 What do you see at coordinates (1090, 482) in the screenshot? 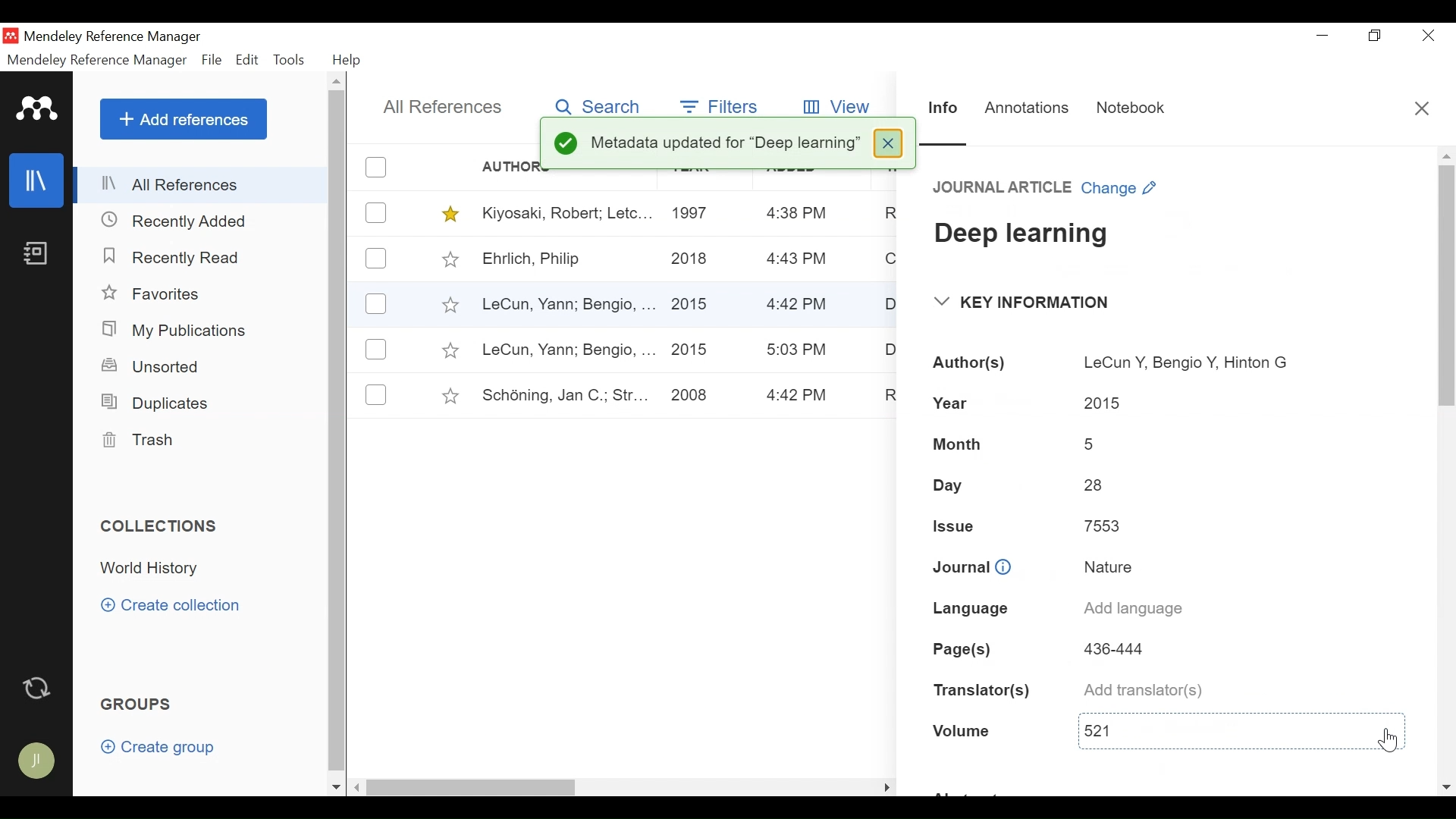
I see `28` at bounding box center [1090, 482].